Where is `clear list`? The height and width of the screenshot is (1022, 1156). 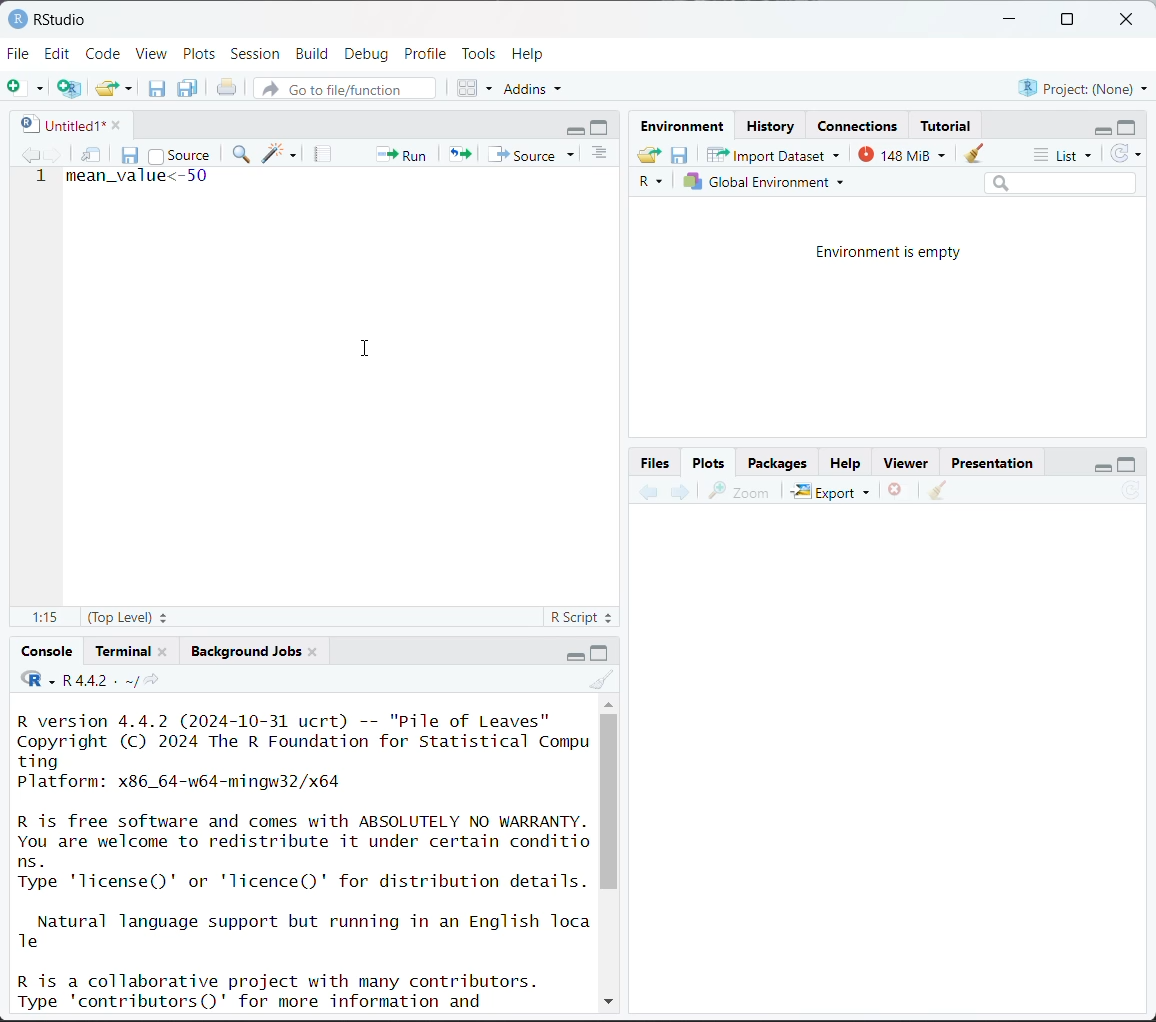
clear list is located at coordinates (131, 88).